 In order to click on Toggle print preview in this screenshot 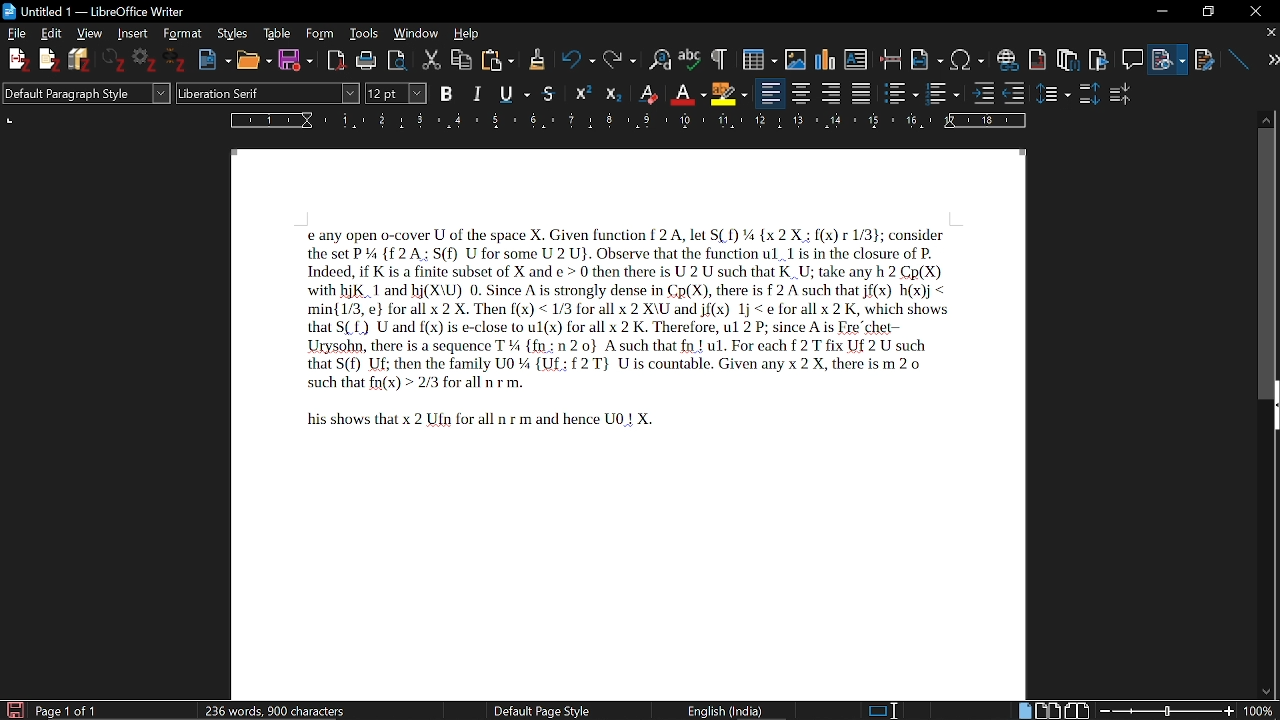, I will do `click(402, 58)`.